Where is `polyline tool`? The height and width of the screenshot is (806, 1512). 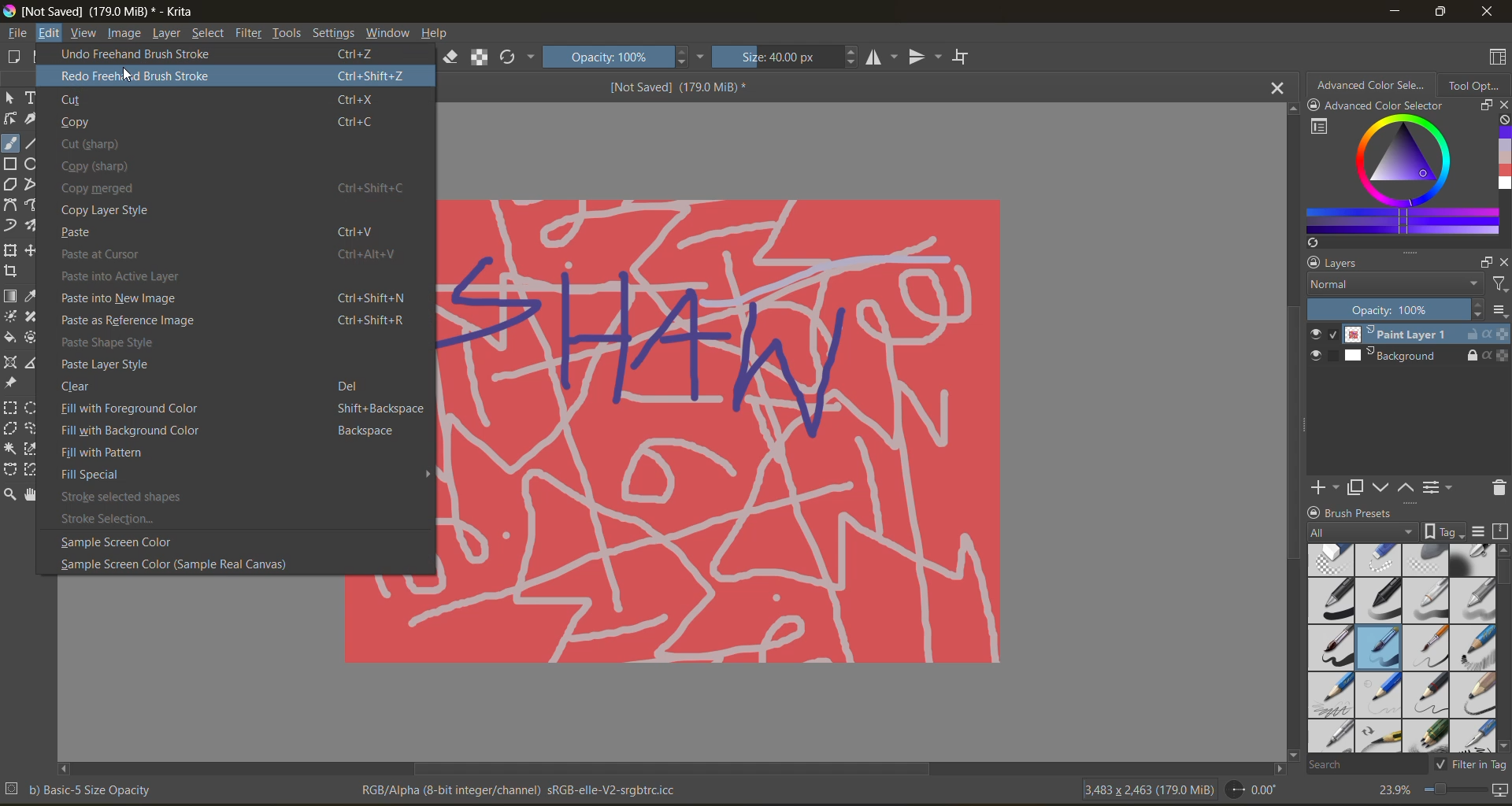 polyline tool is located at coordinates (31, 184).